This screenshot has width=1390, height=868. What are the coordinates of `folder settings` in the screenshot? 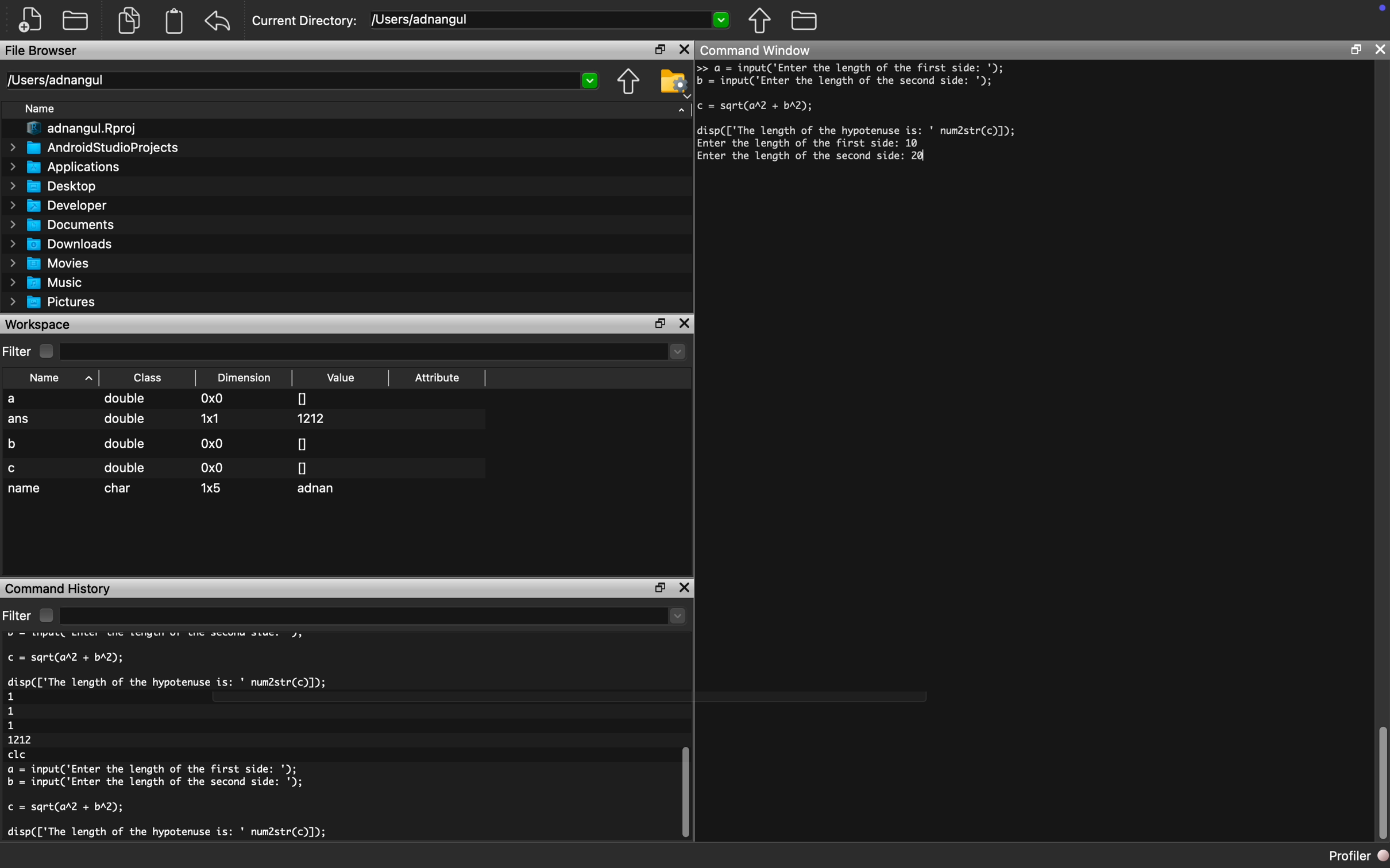 It's located at (674, 82).